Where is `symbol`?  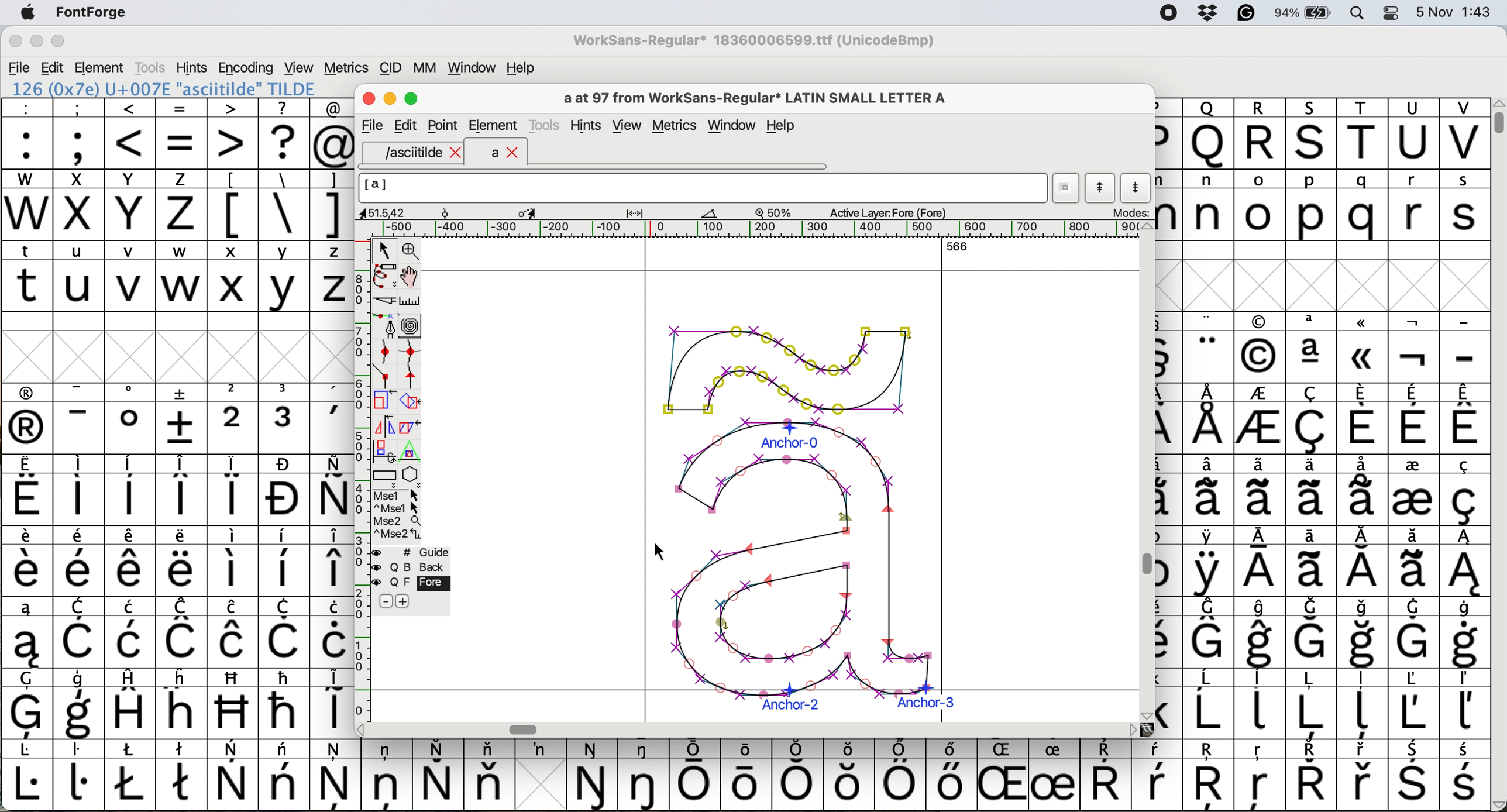 symbol is located at coordinates (130, 418).